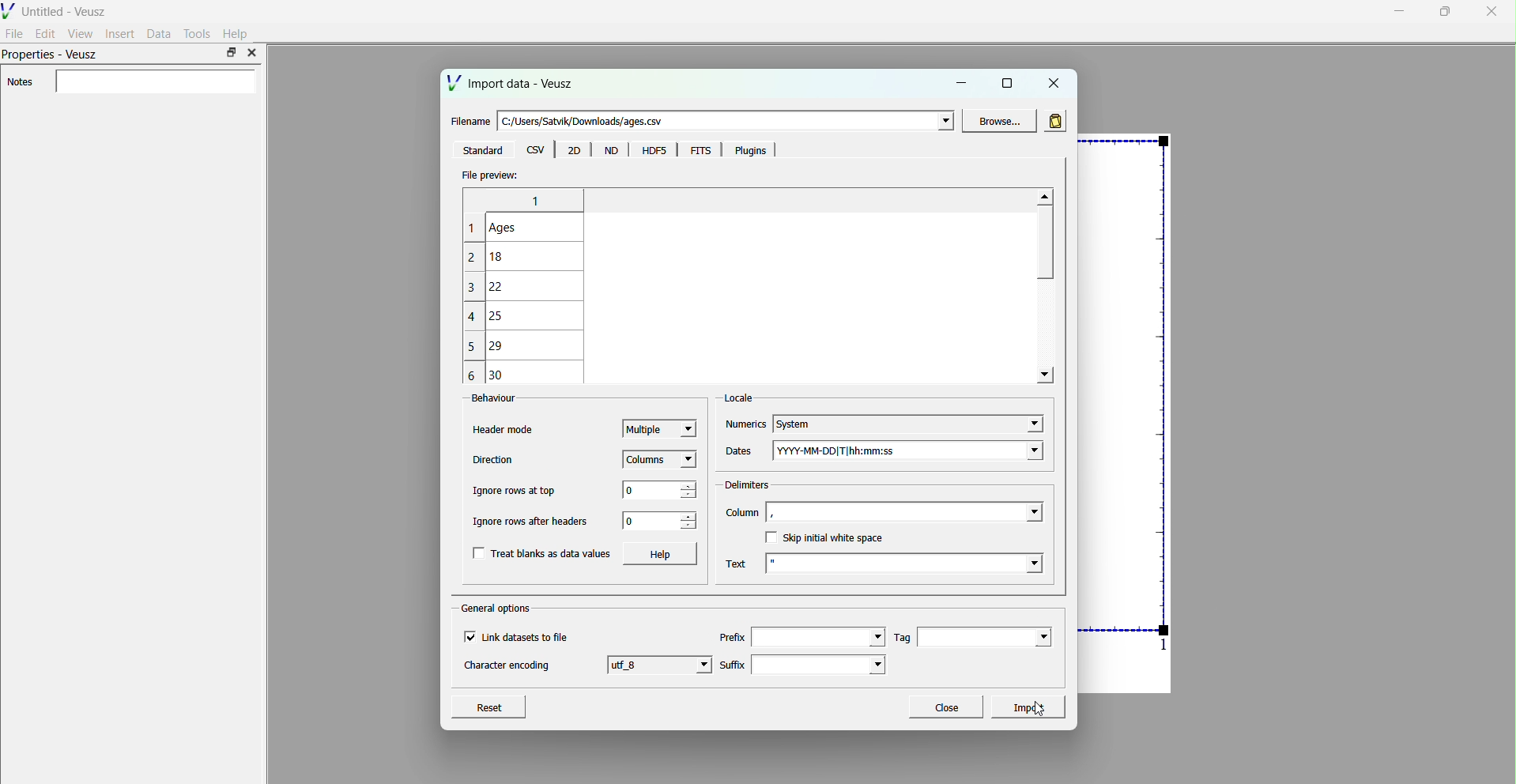 This screenshot has height=784, width=1516. Describe the element at coordinates (492, 459) in the screenshot. I see `Direction’` at that location.